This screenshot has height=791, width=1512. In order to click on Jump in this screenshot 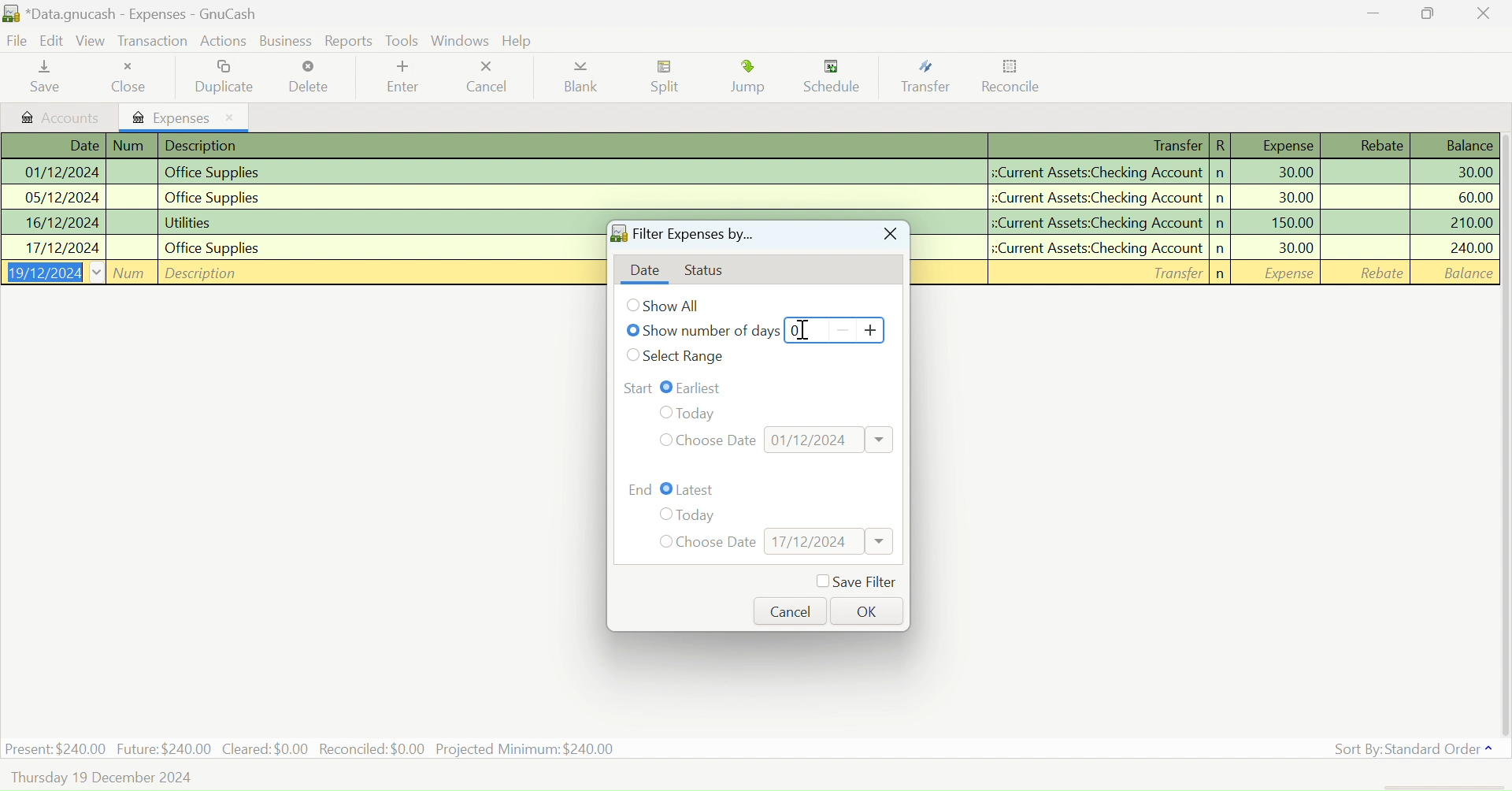, I will do `click(751, 80)`.